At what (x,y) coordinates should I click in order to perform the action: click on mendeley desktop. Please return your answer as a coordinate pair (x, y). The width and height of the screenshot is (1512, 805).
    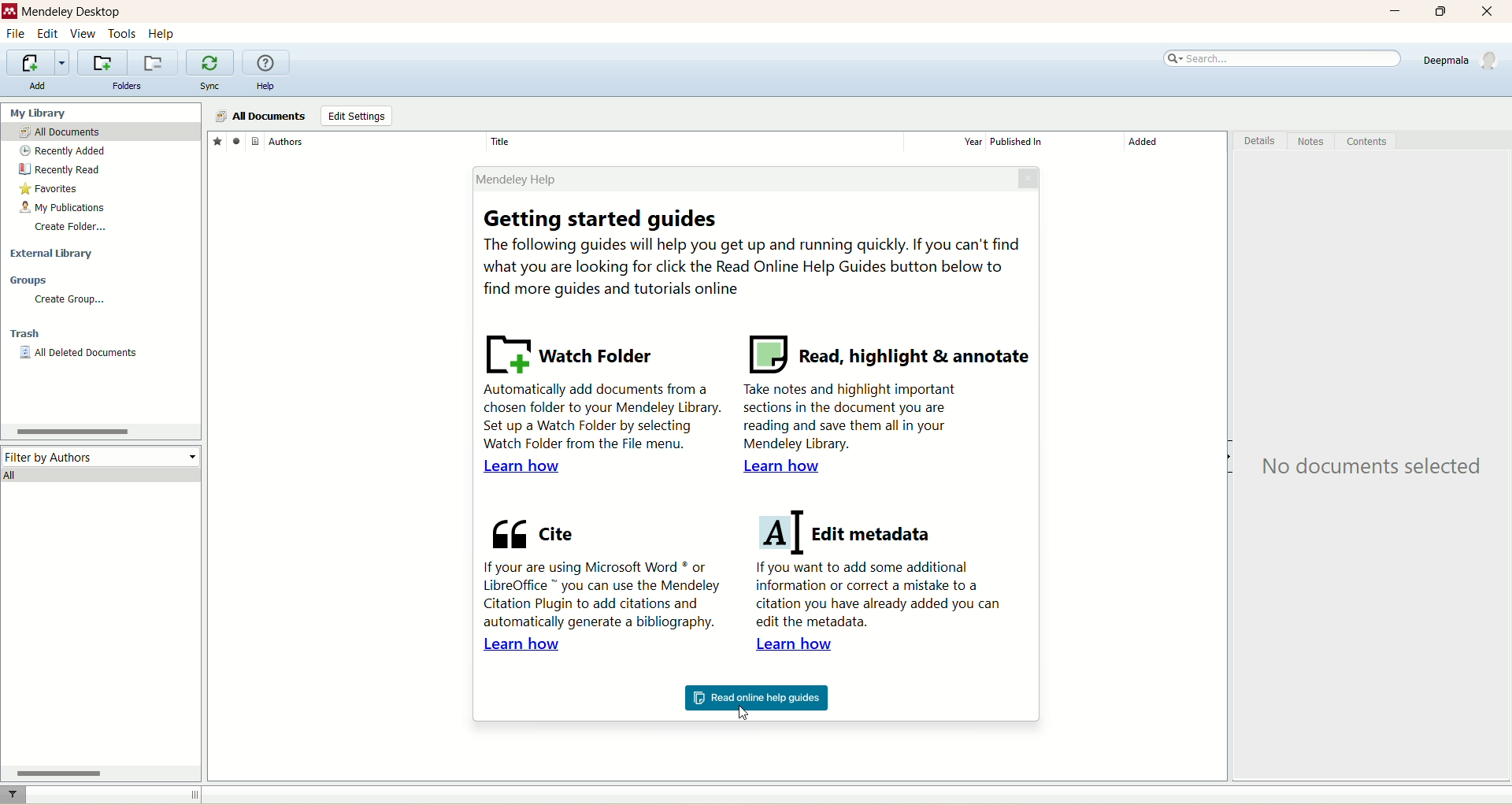
    Looking at the image, I should click on (71, 12).